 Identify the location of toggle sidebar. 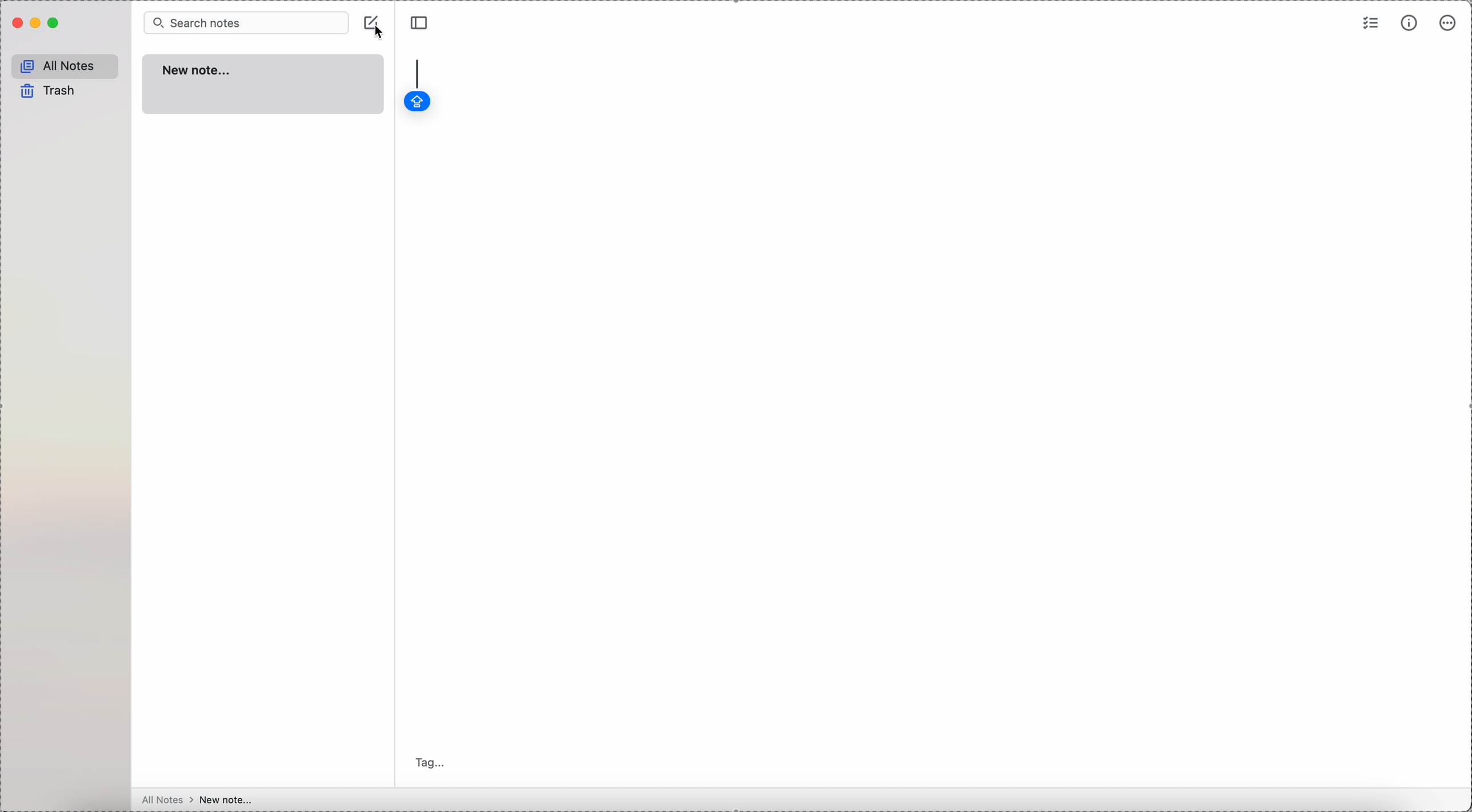
(419, 23).